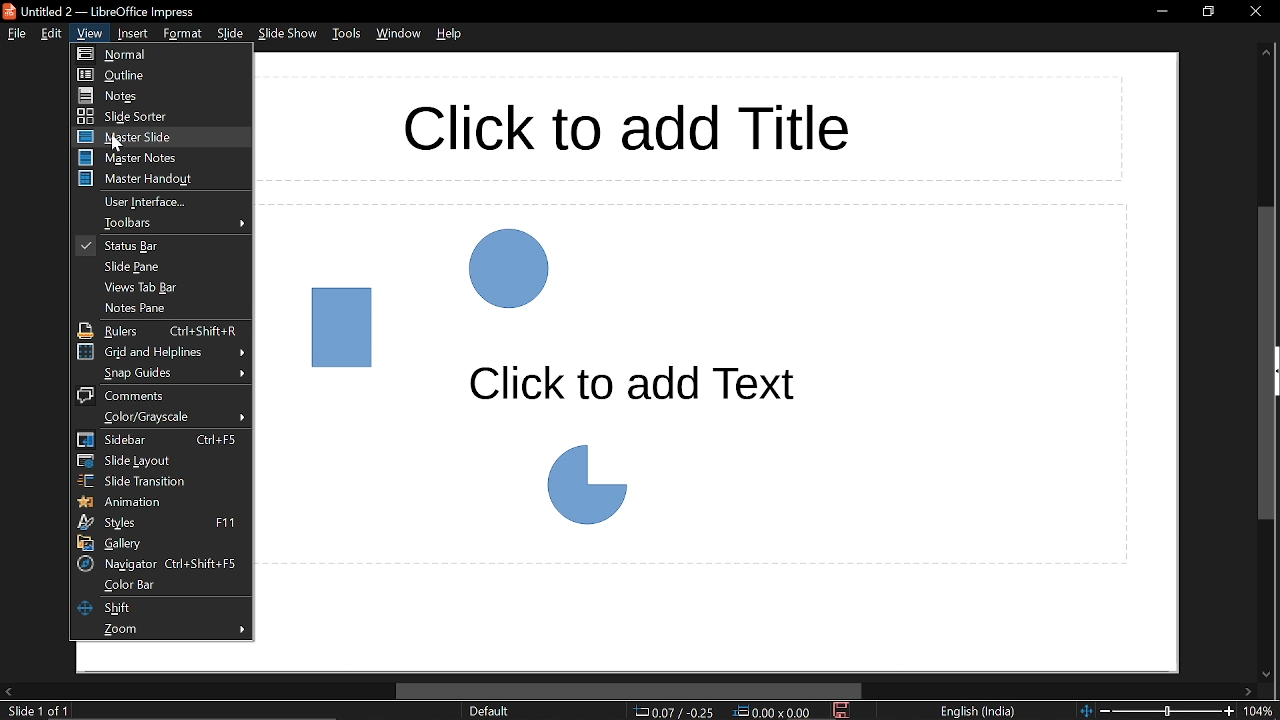  What do you see at coordinates (158, 563) in the screenshot?
I see `Navigator` at bounding box center [158, 563].